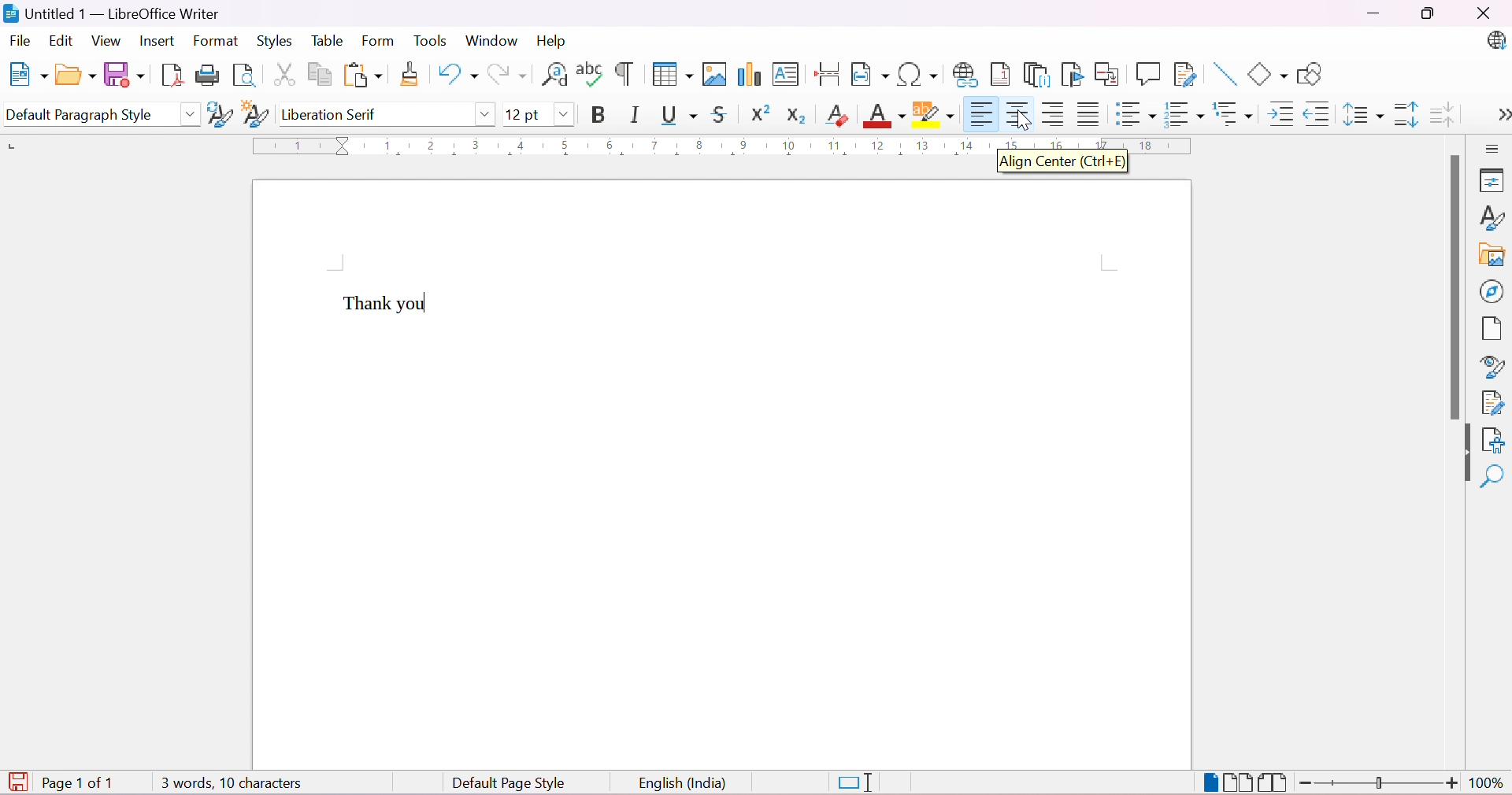 The image size is (1512, 795). Describe the element at coordinates (589, 75) in the screenshot. I see `Check Spelling` at that location.